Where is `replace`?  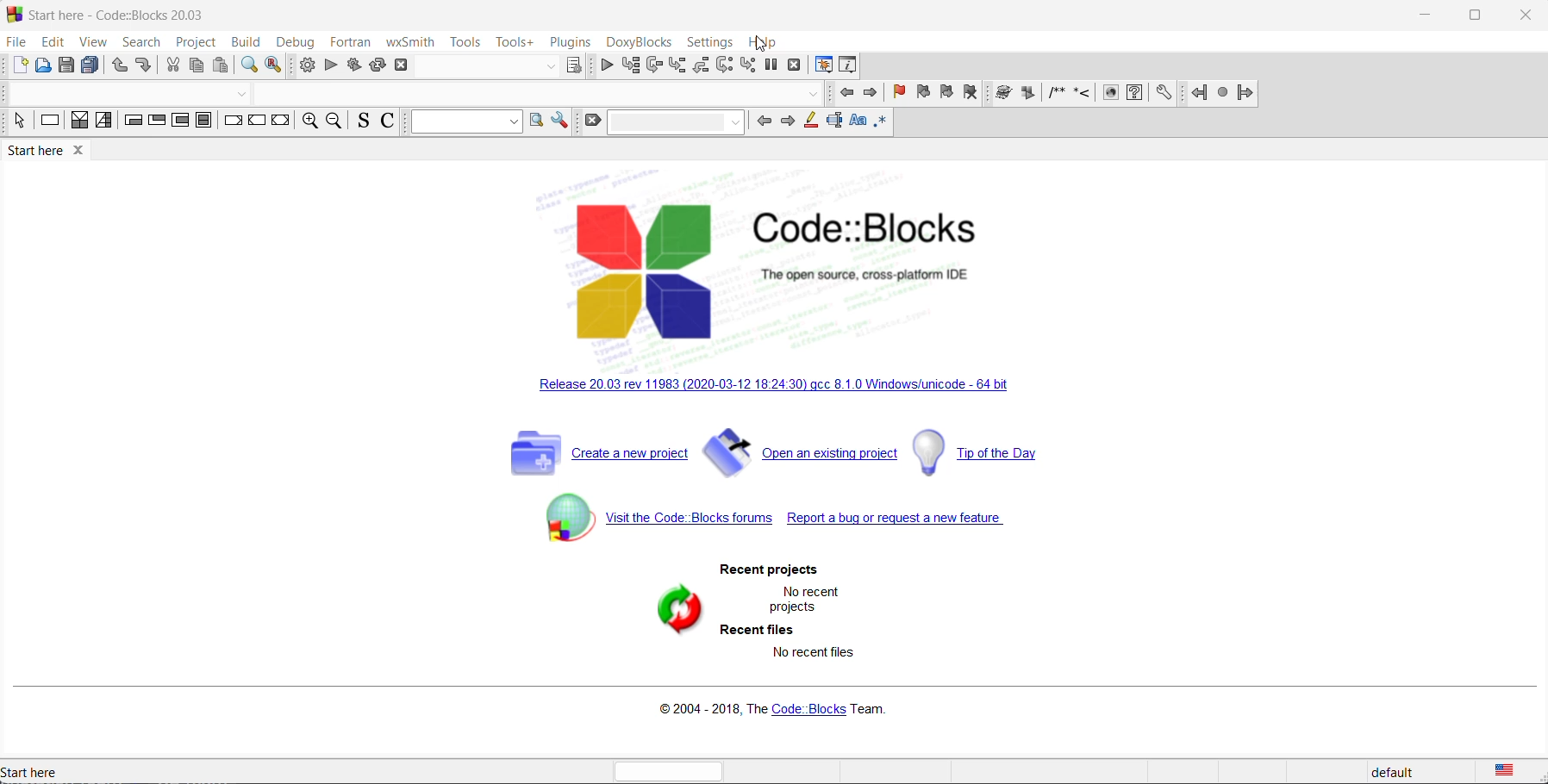 replace is located at coordinates (275, 66).